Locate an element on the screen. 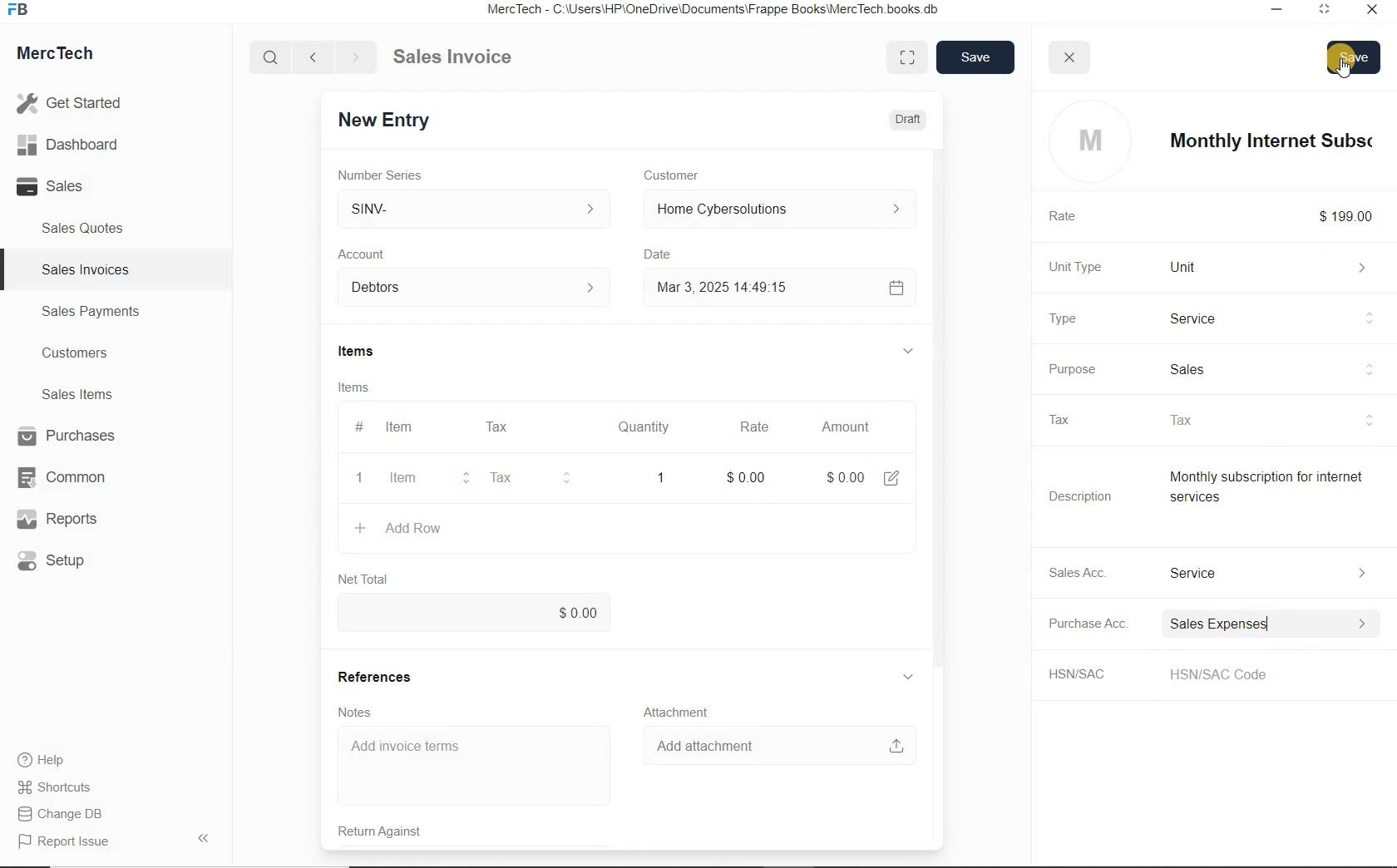 The width and height of the screenshot is (1397, 868). Date is located at coordinates (661, 254).